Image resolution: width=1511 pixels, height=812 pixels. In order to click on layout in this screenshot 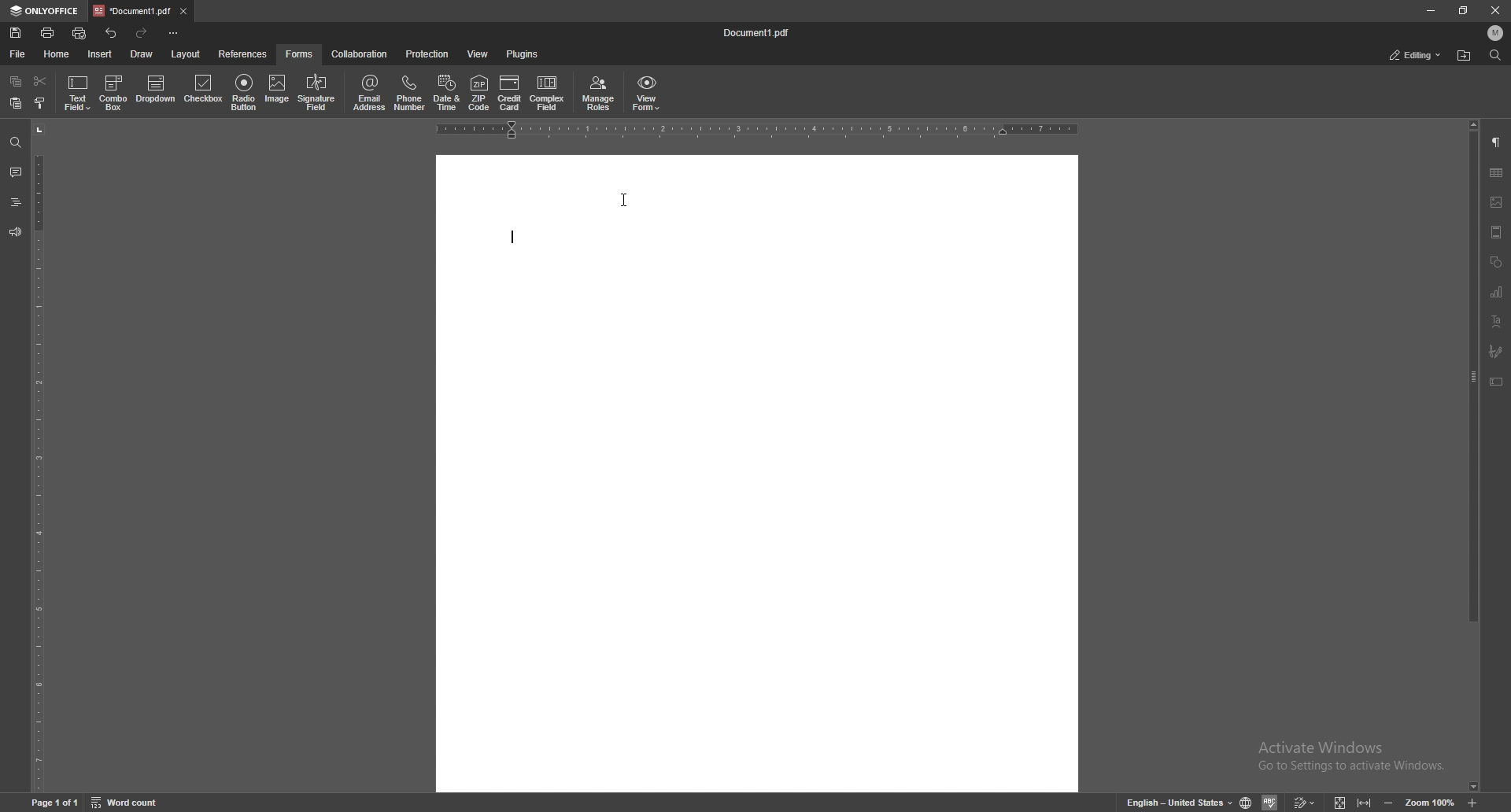, I will do `click(187, 54)`.